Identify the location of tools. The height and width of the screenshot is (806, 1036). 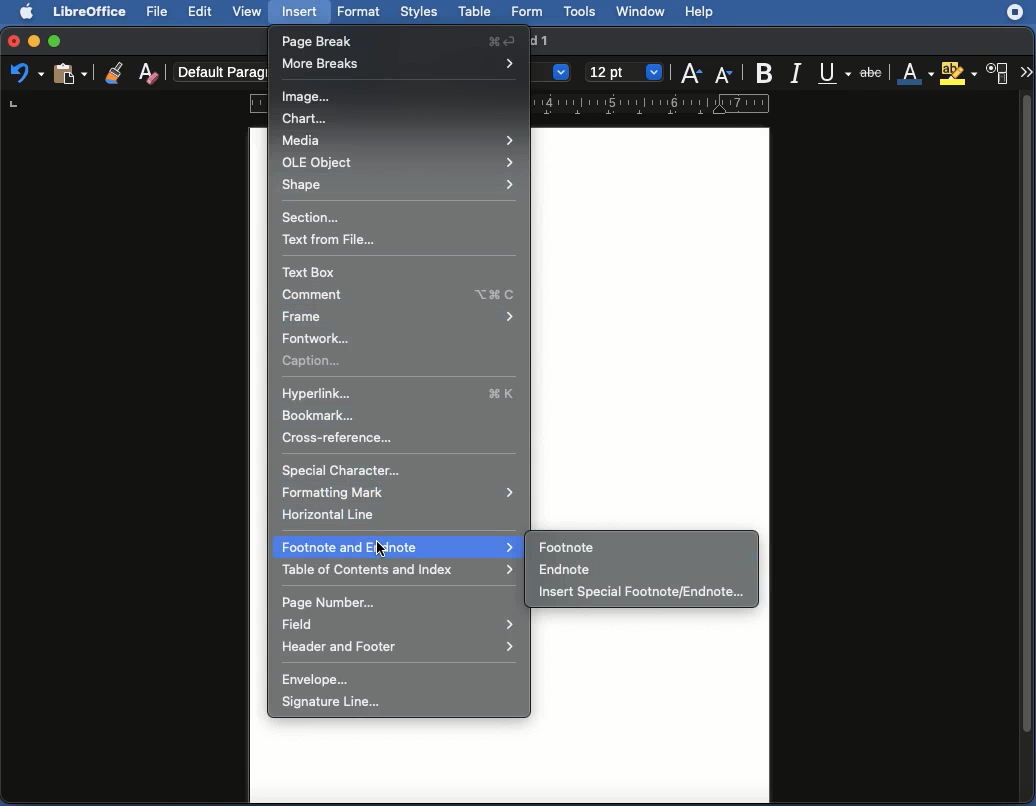
(580, 11).